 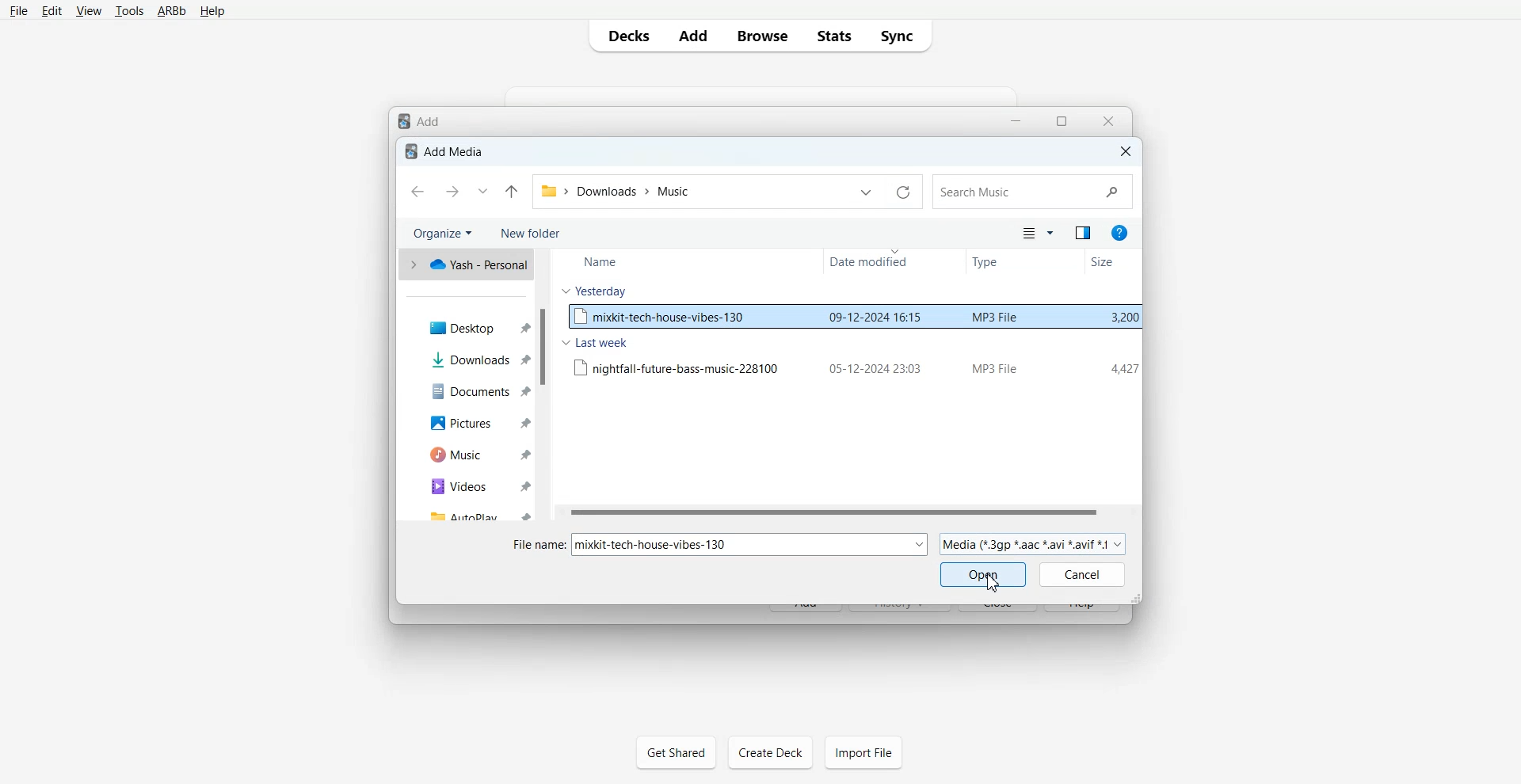 What do you see at coordinates (444, 231) in the screenshot?
I see `Organize` at bounding box center [444, 231].